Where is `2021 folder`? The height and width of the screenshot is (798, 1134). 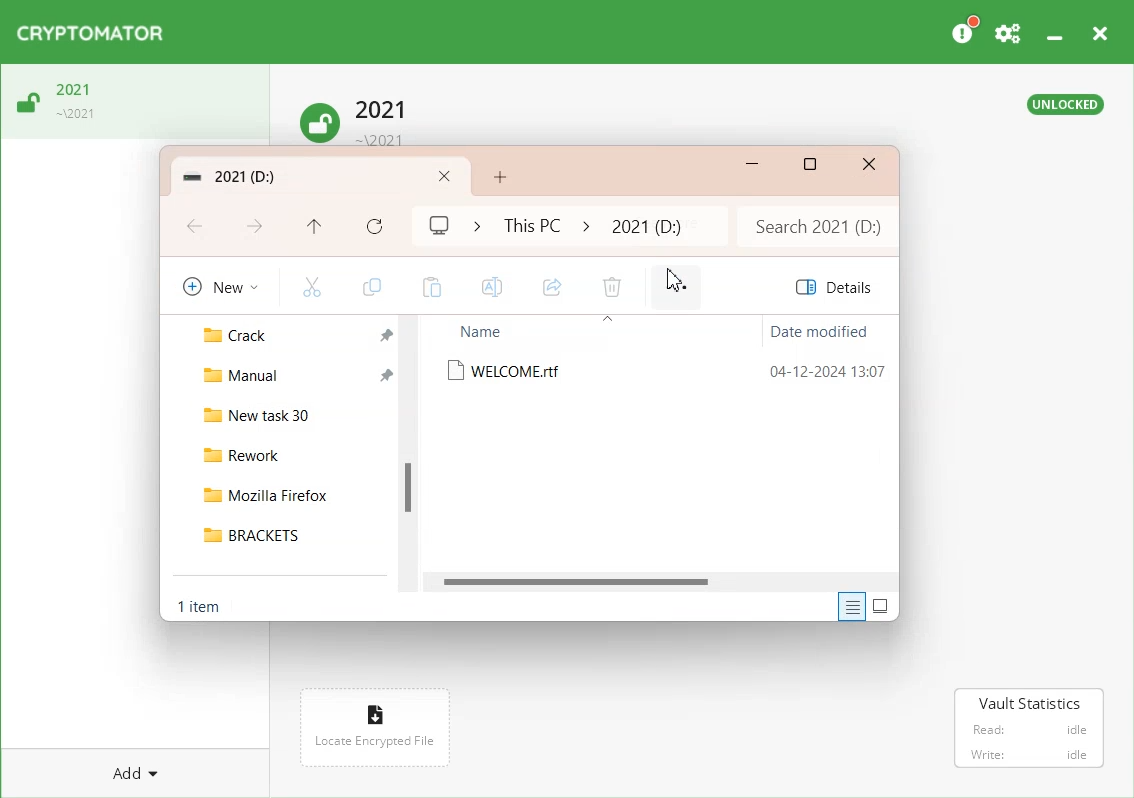 2021 folder is located at coordinates (645, 226).